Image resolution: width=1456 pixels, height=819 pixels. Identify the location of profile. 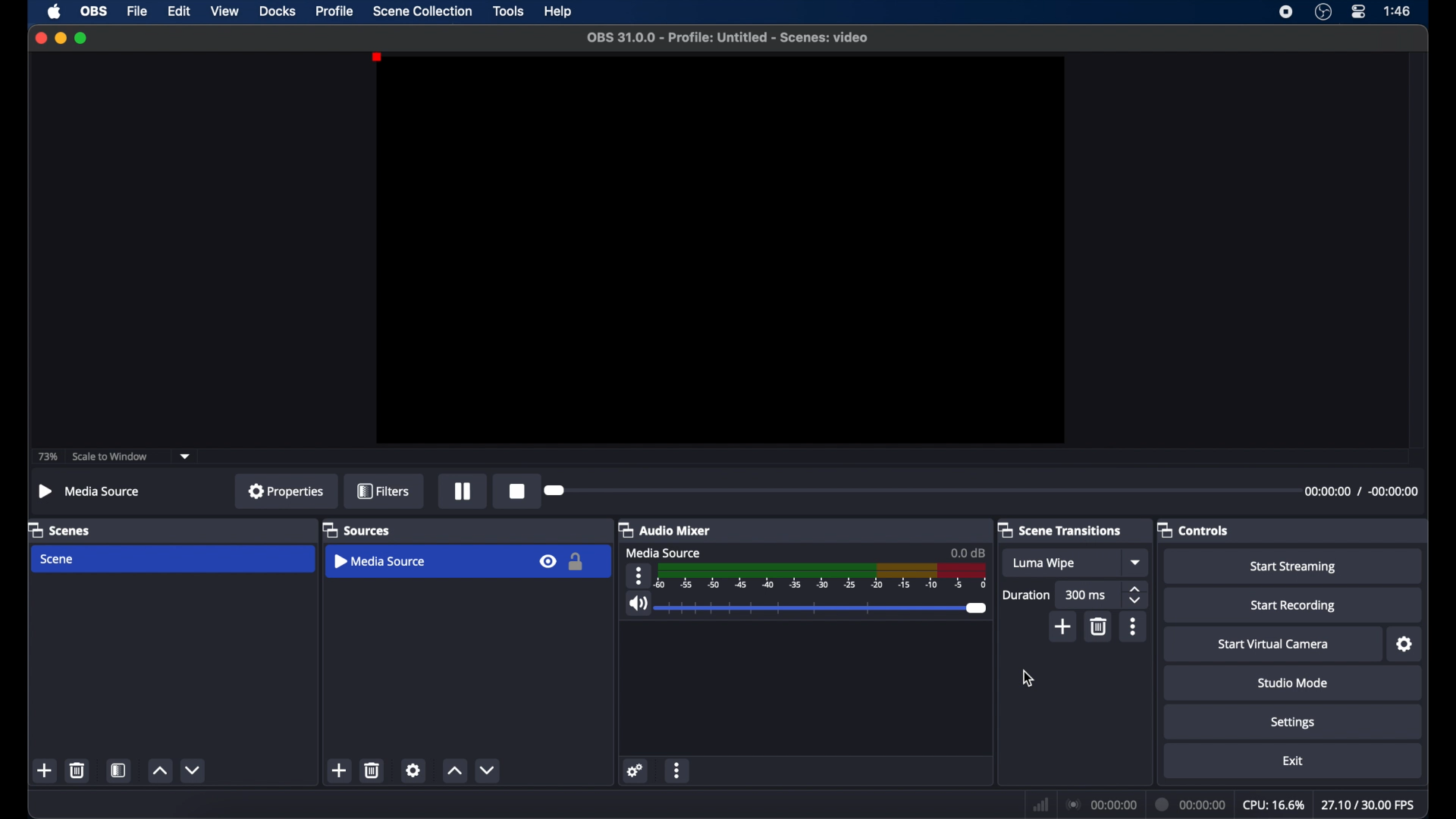
(335, 11).